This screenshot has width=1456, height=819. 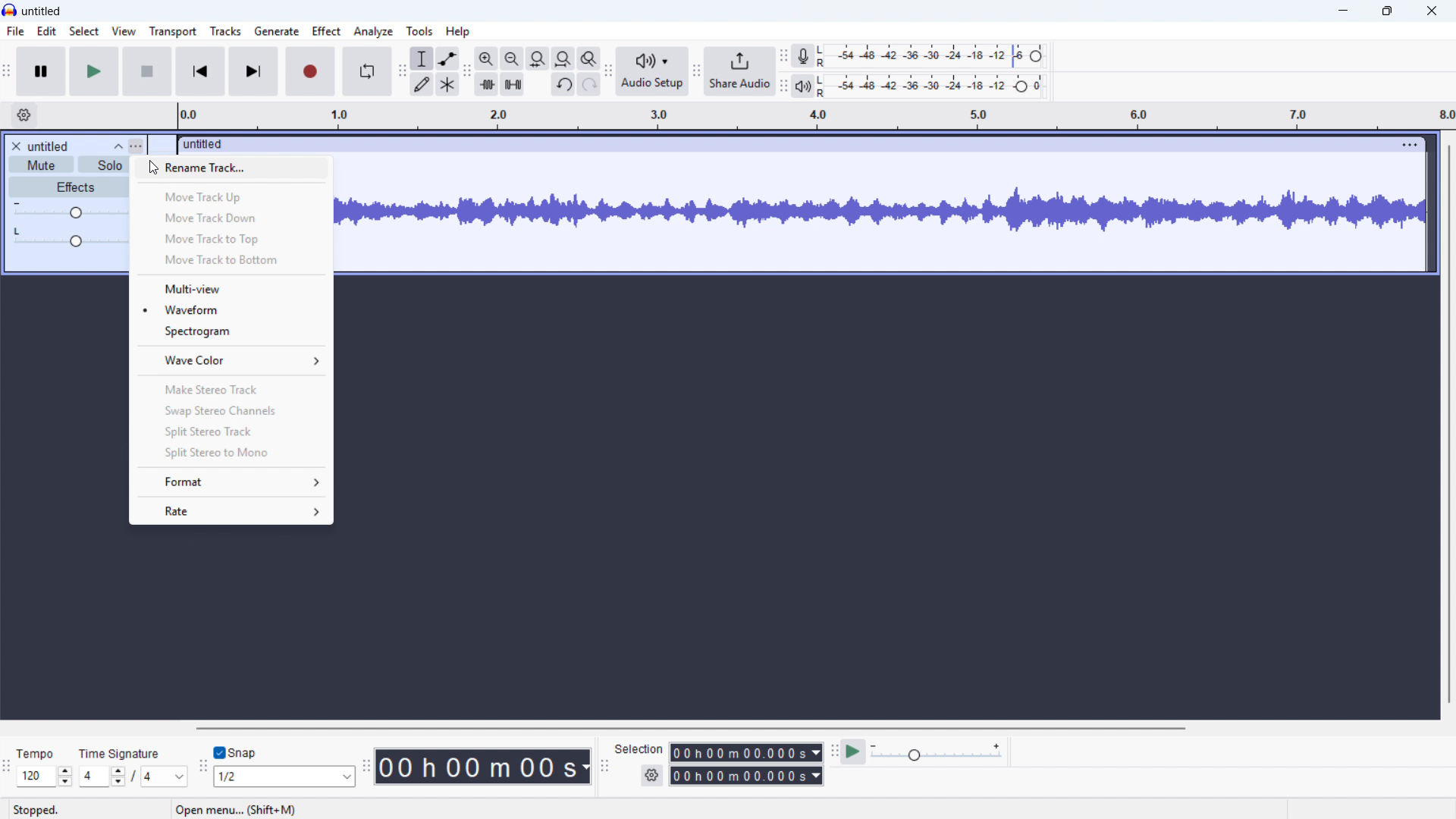 I want to click on mute , so click(x=41, y=165).